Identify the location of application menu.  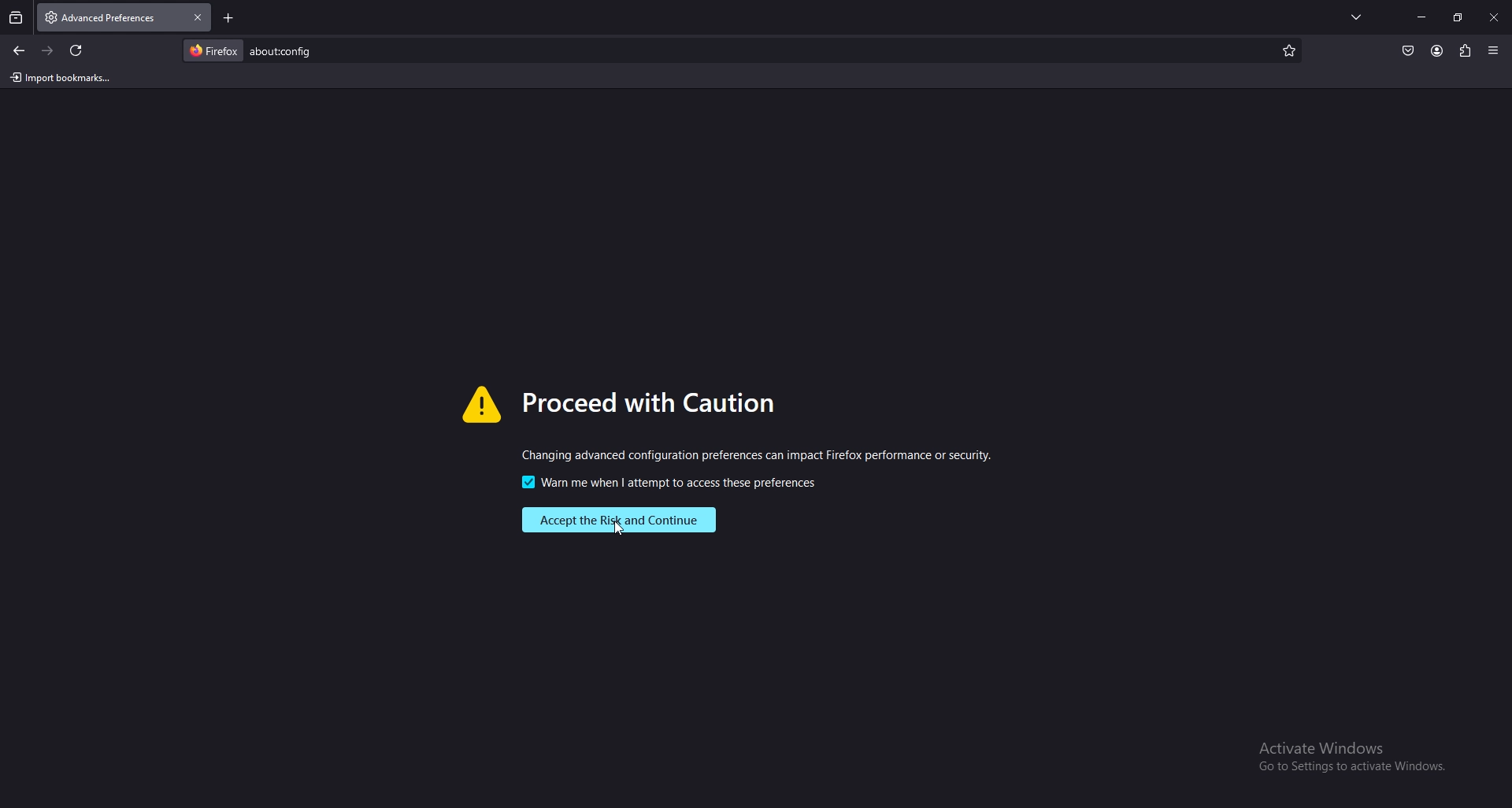
(1495, 50).